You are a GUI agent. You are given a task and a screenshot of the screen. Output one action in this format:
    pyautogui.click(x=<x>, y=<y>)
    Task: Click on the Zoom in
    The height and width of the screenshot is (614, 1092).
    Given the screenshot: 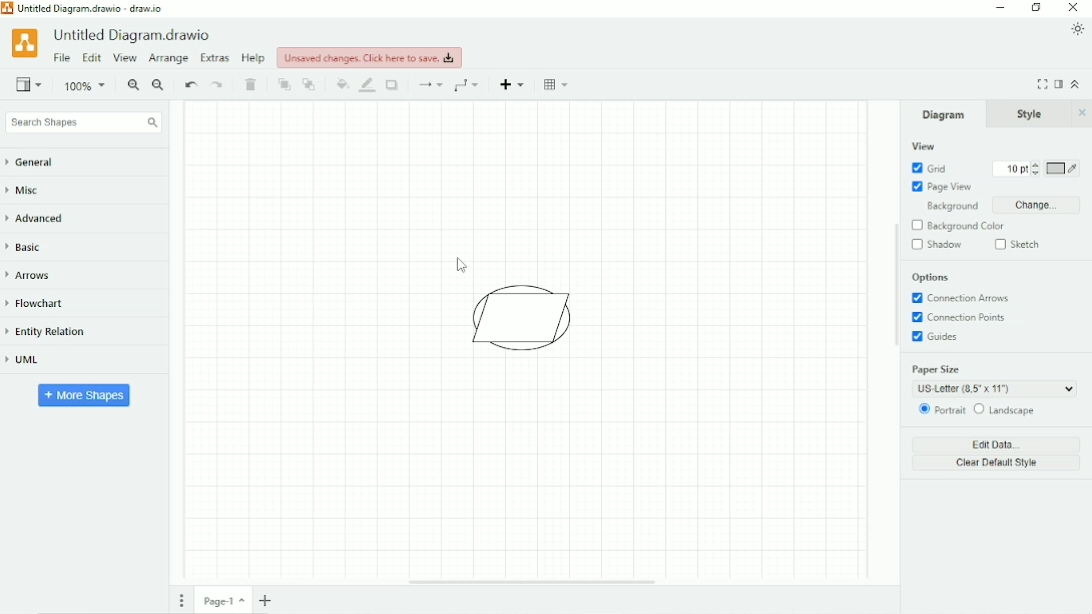 What is the action you would take?
    pyautogui.click(x=133, y=86)
    